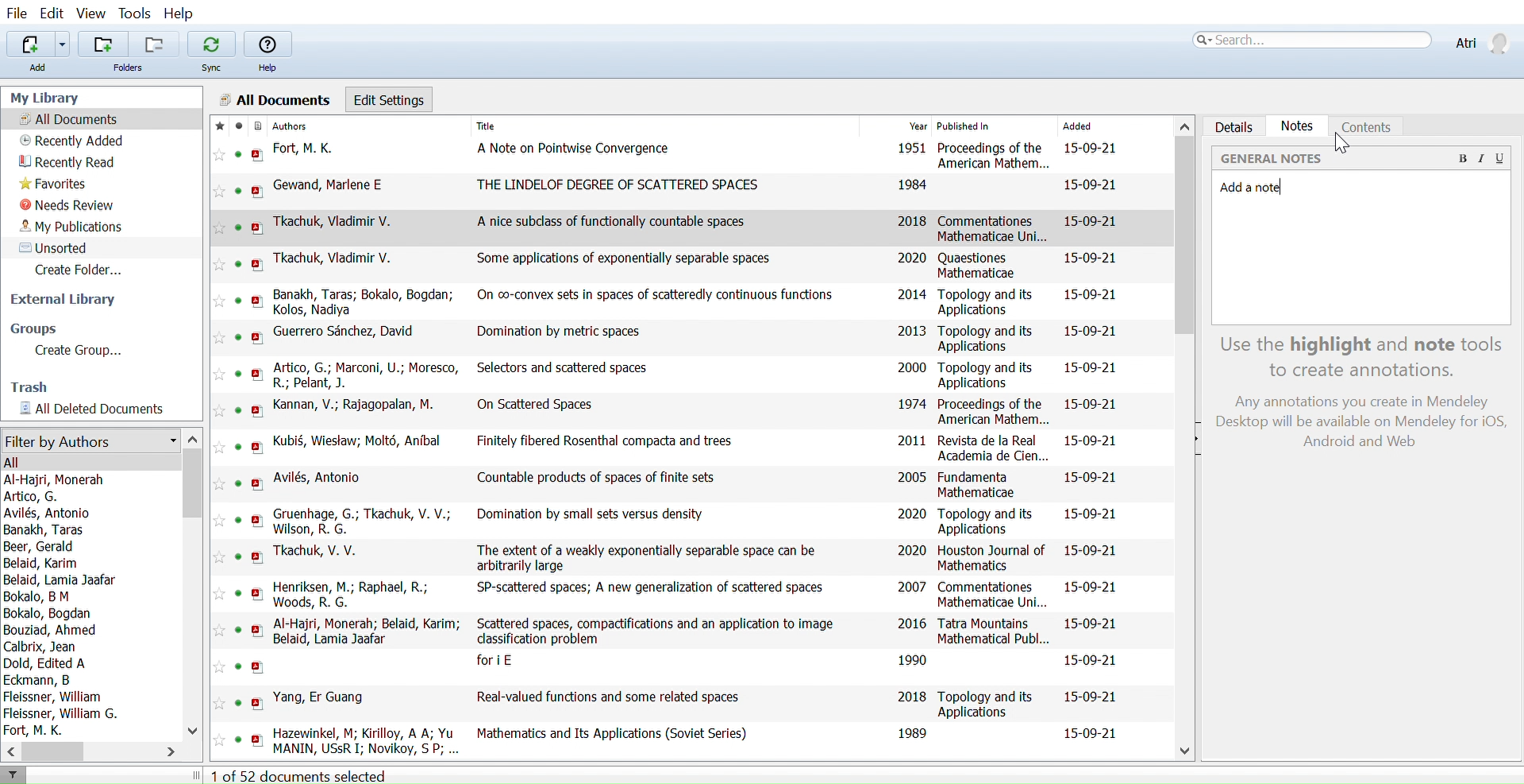 The width and height of the screenshot is (1524, 784). I want to click on Belaid, Lamia Jaafar, so click(63, 580).